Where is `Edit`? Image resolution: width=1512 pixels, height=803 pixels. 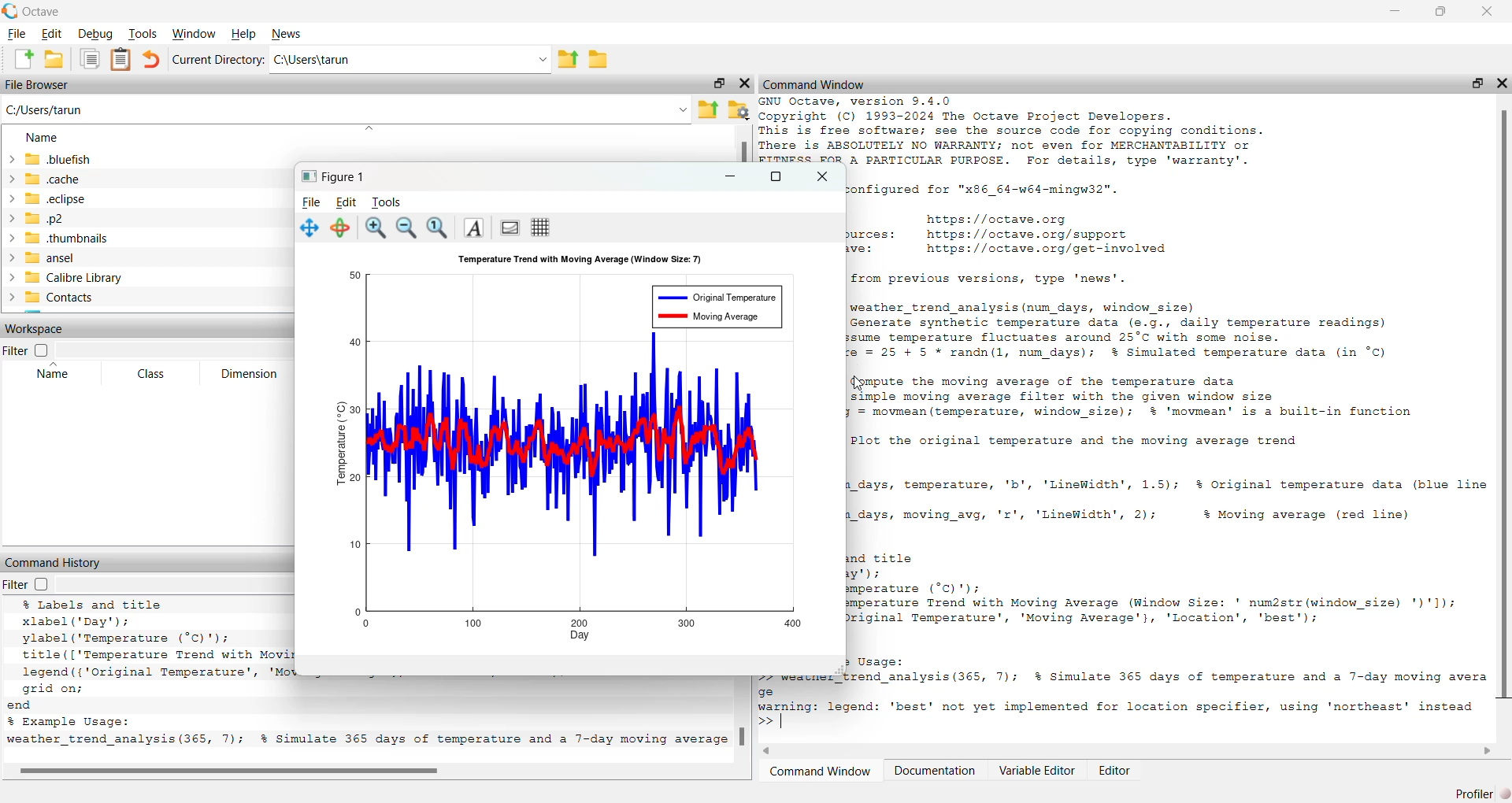 Edit is located at coordinates (348, 203).